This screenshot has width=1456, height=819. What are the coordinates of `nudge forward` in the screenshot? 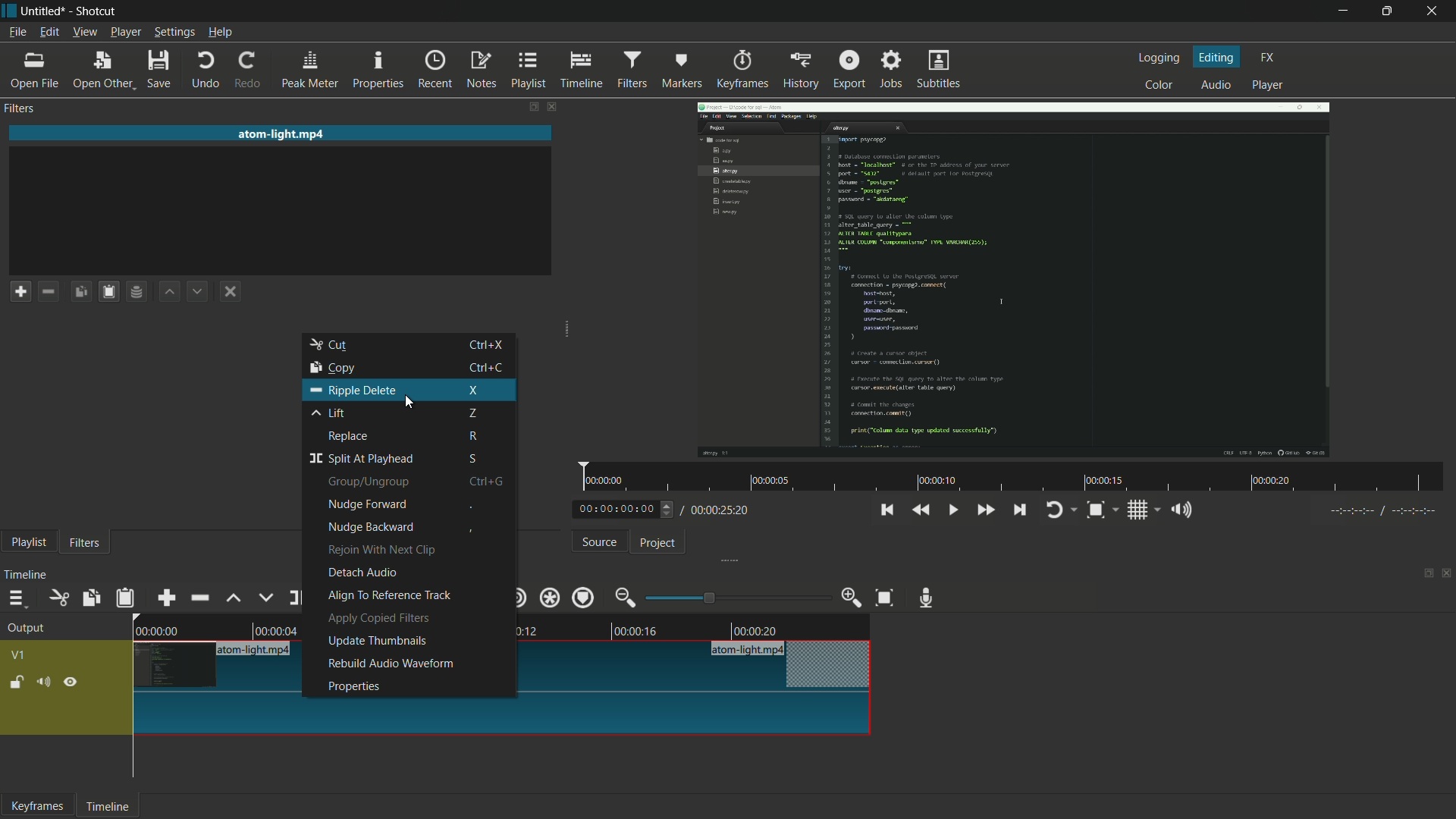 It's located at (412, 506).